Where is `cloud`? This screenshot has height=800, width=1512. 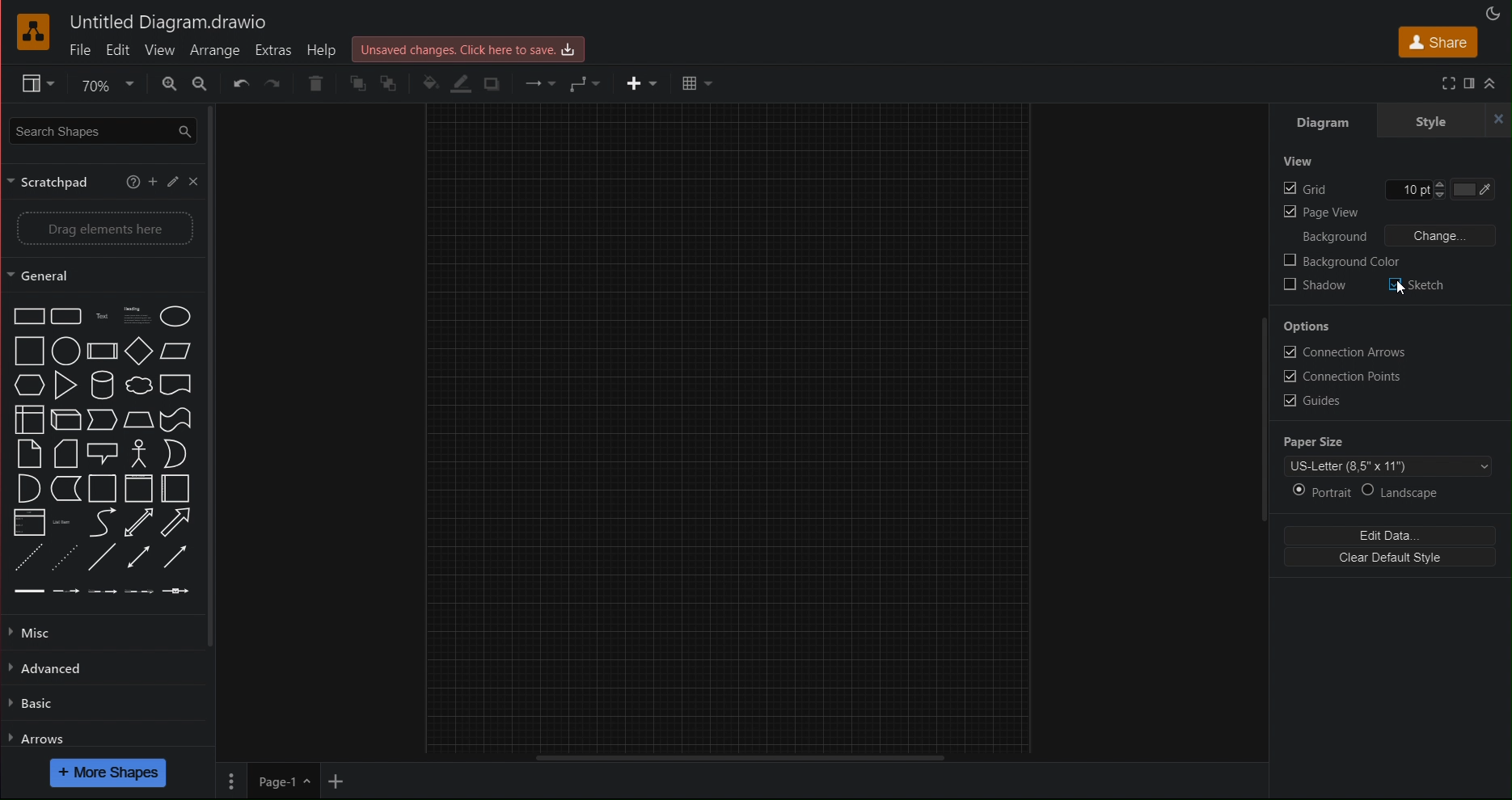
cloud is located at coordinates (138, 387).